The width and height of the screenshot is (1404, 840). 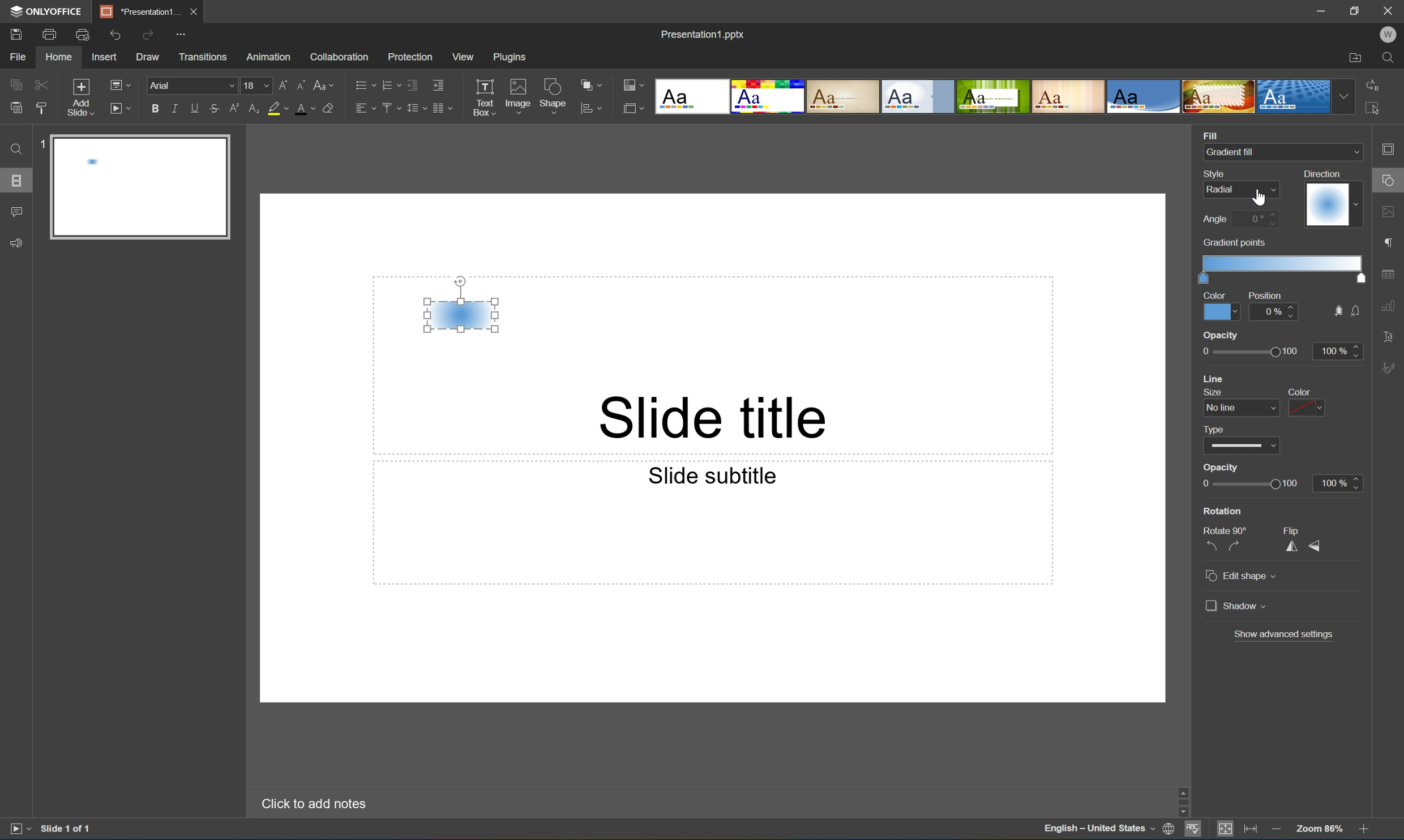 I want to click on Presentation1..., so click(x=136, y=11).